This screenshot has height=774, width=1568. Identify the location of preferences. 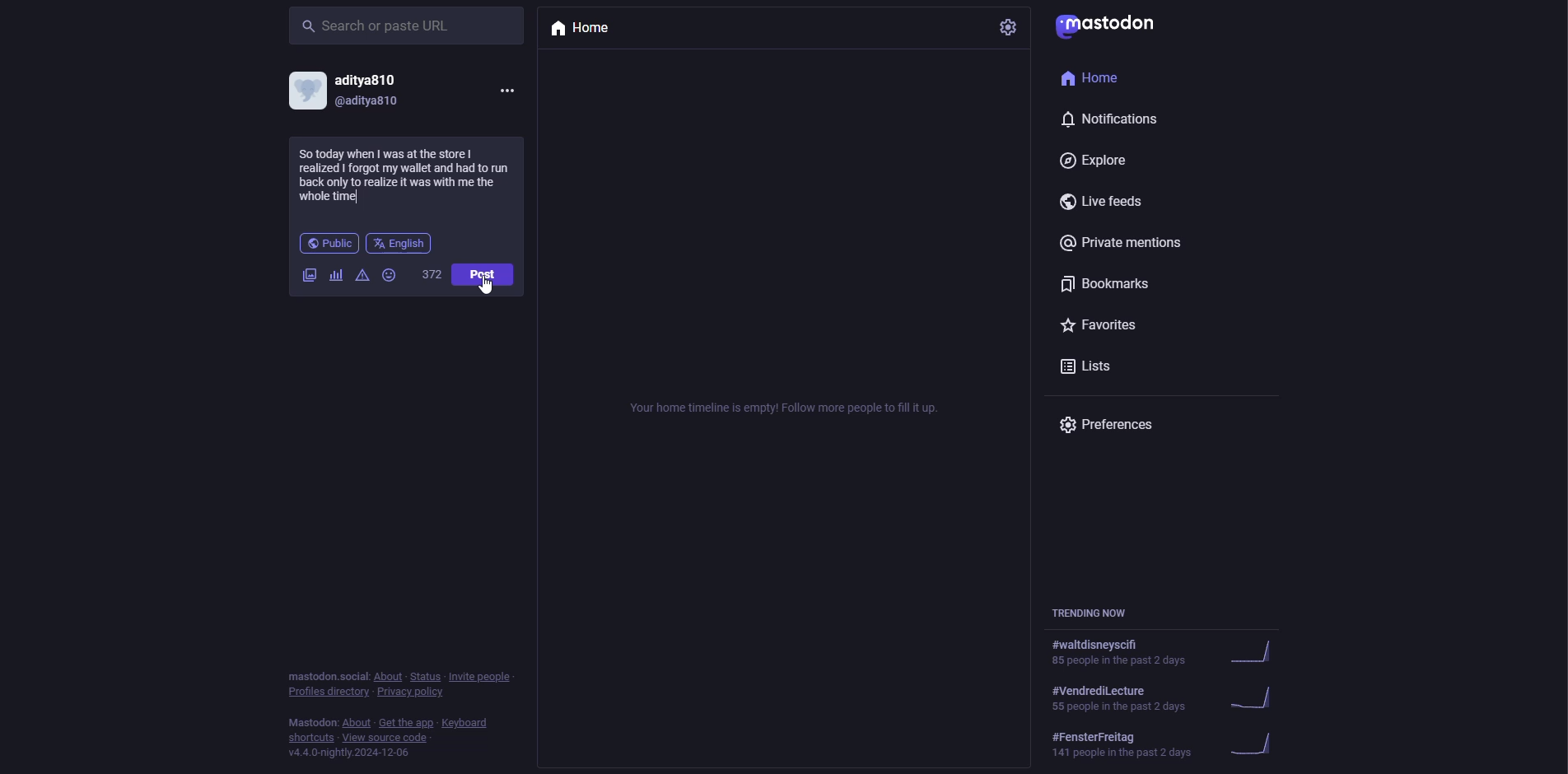
(1112, 427).